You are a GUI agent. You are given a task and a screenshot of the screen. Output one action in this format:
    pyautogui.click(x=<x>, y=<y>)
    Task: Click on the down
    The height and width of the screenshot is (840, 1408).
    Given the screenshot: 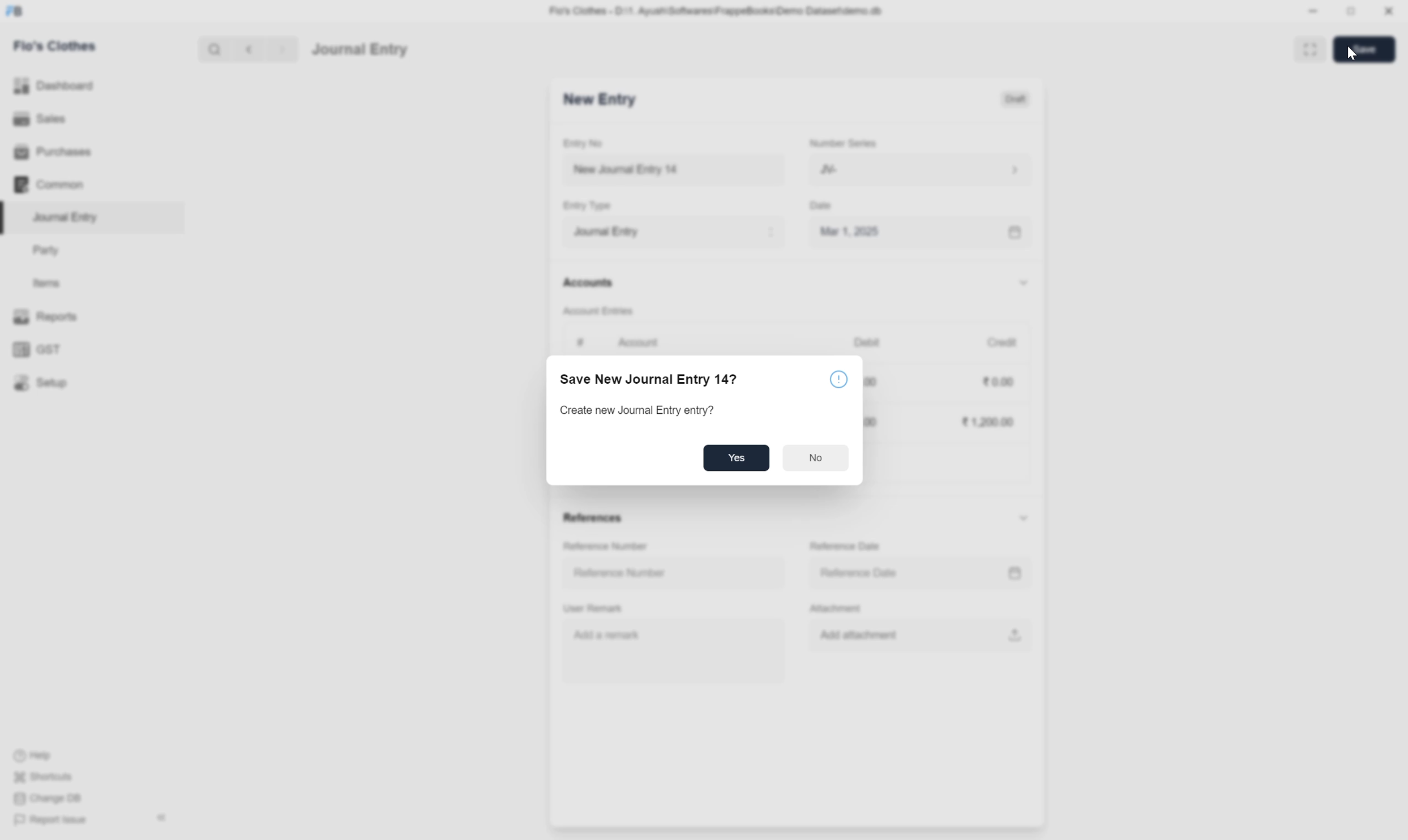 What is the action you would take?
    pyautogui.click(x=1023, y=518)
    